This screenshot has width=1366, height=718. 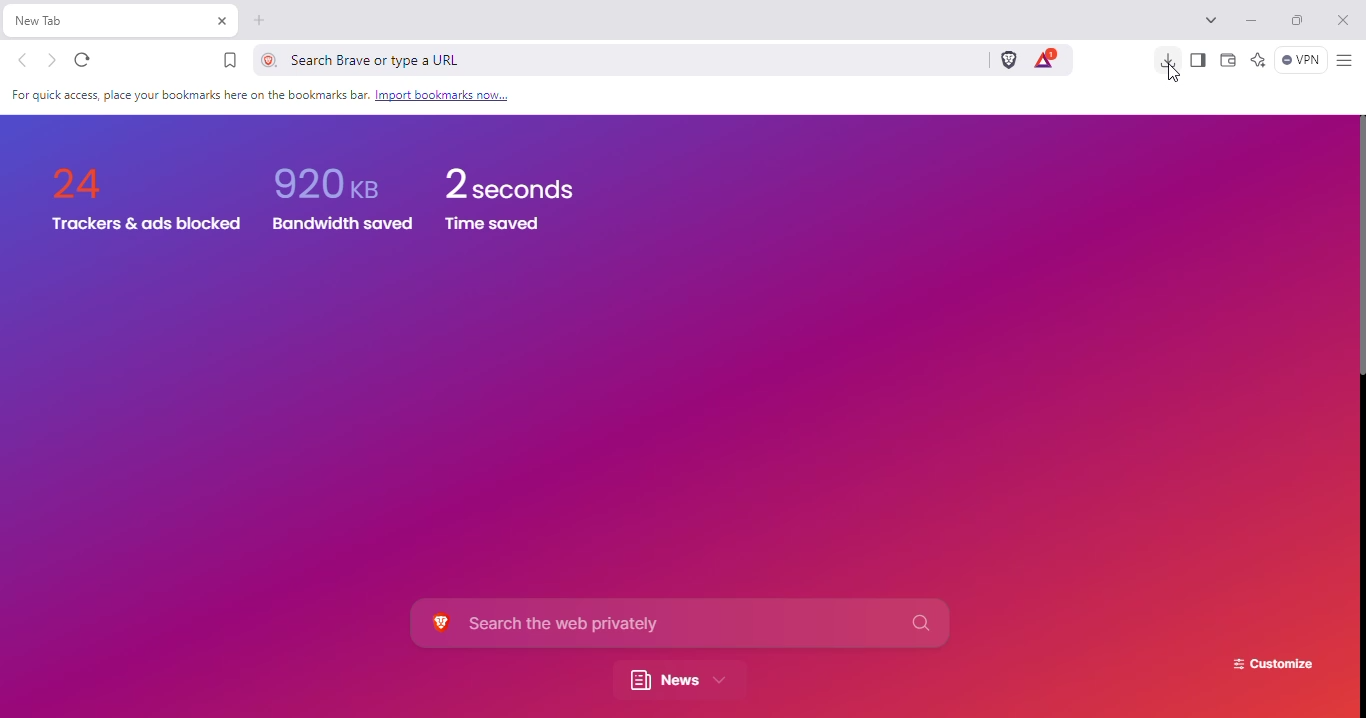 I want to click on show sidebar, so click(x=1199, y=60).